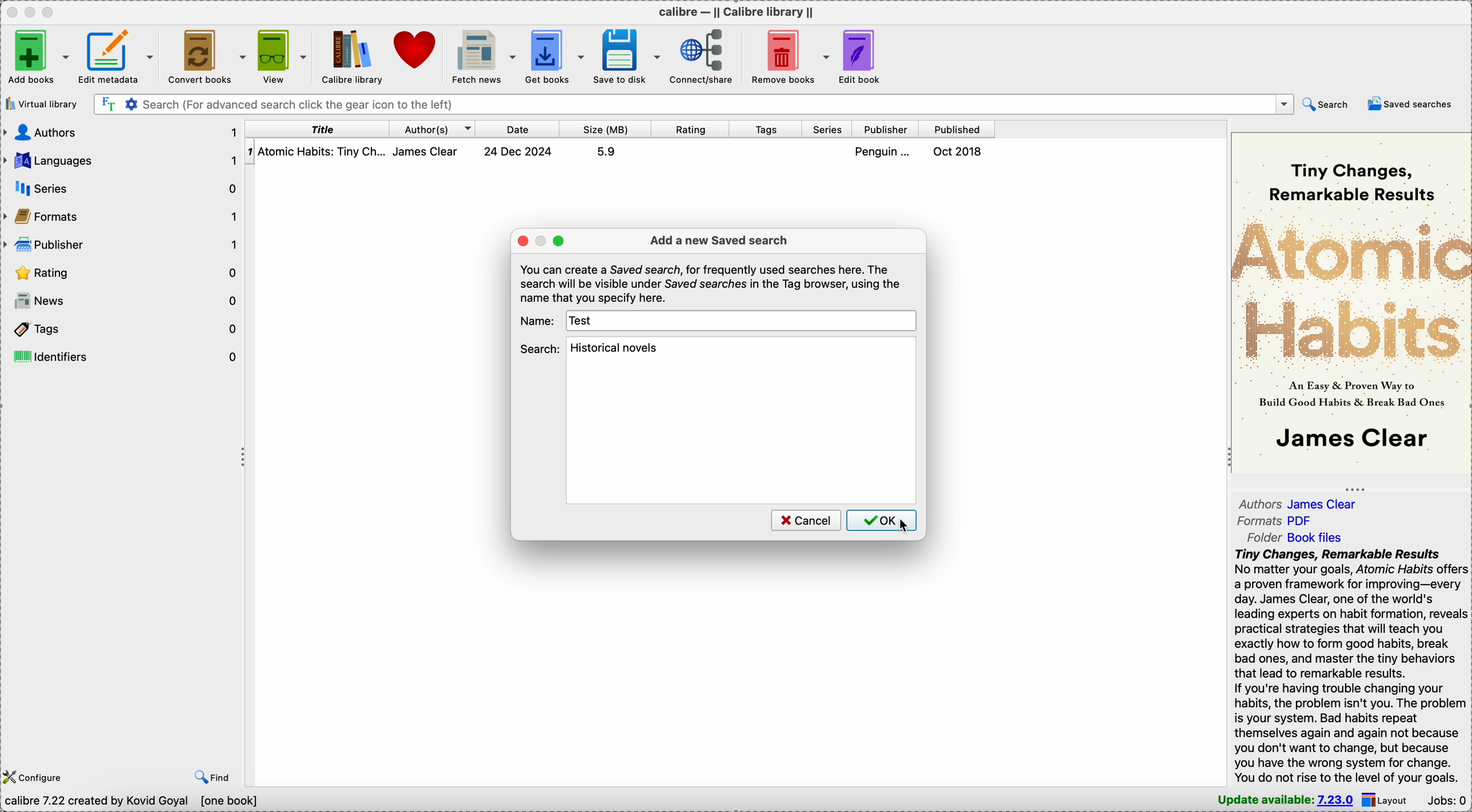  What do you see at coordinates (133, 801) in the screenshot?
I see `Calibre 7.22 created by Kovid Goyal [one book]` at bounding box center [133, 801].